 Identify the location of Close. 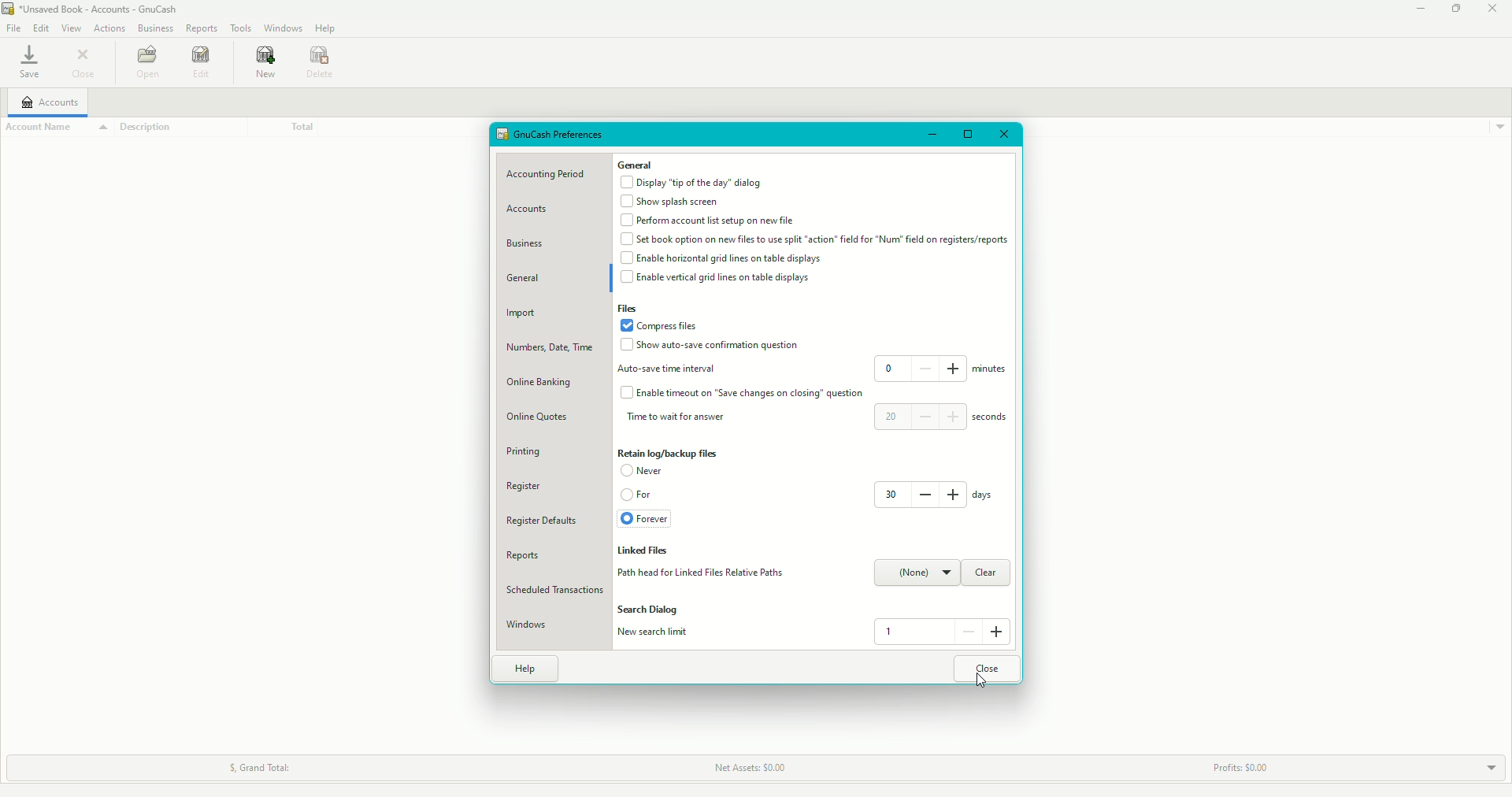
(89, 65).